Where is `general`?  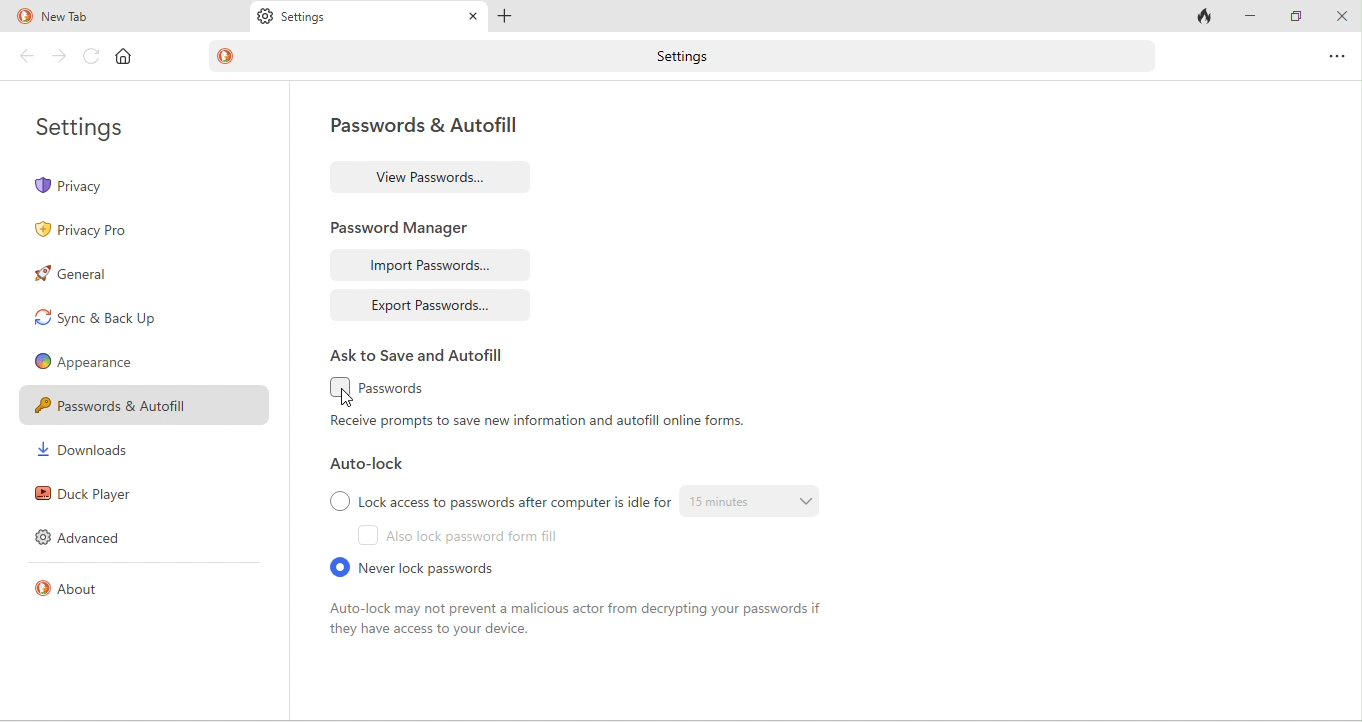
general is located at coordinates (97, 279).